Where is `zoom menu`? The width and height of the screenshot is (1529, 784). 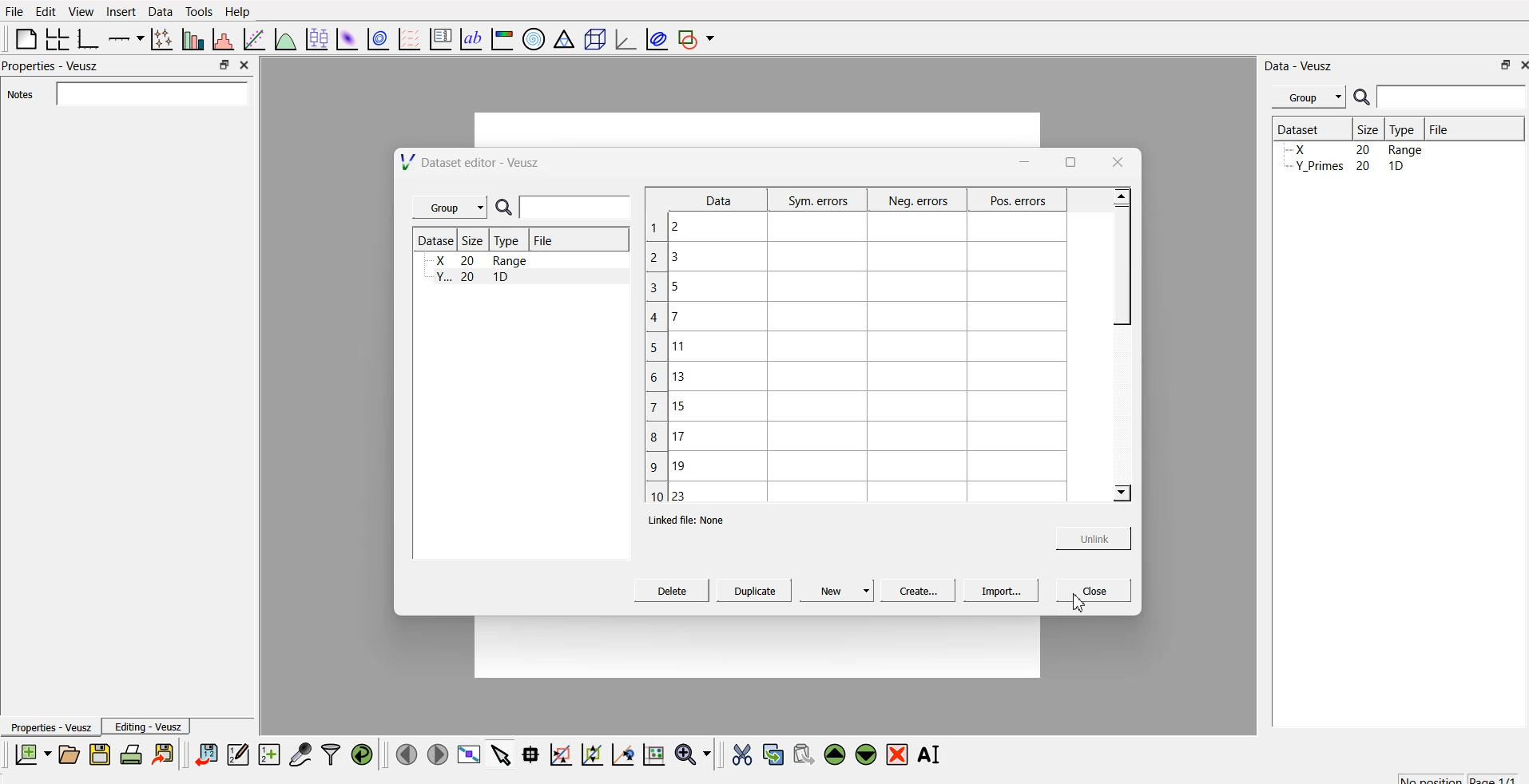
zoom menu is located at coordinates (693, 754).